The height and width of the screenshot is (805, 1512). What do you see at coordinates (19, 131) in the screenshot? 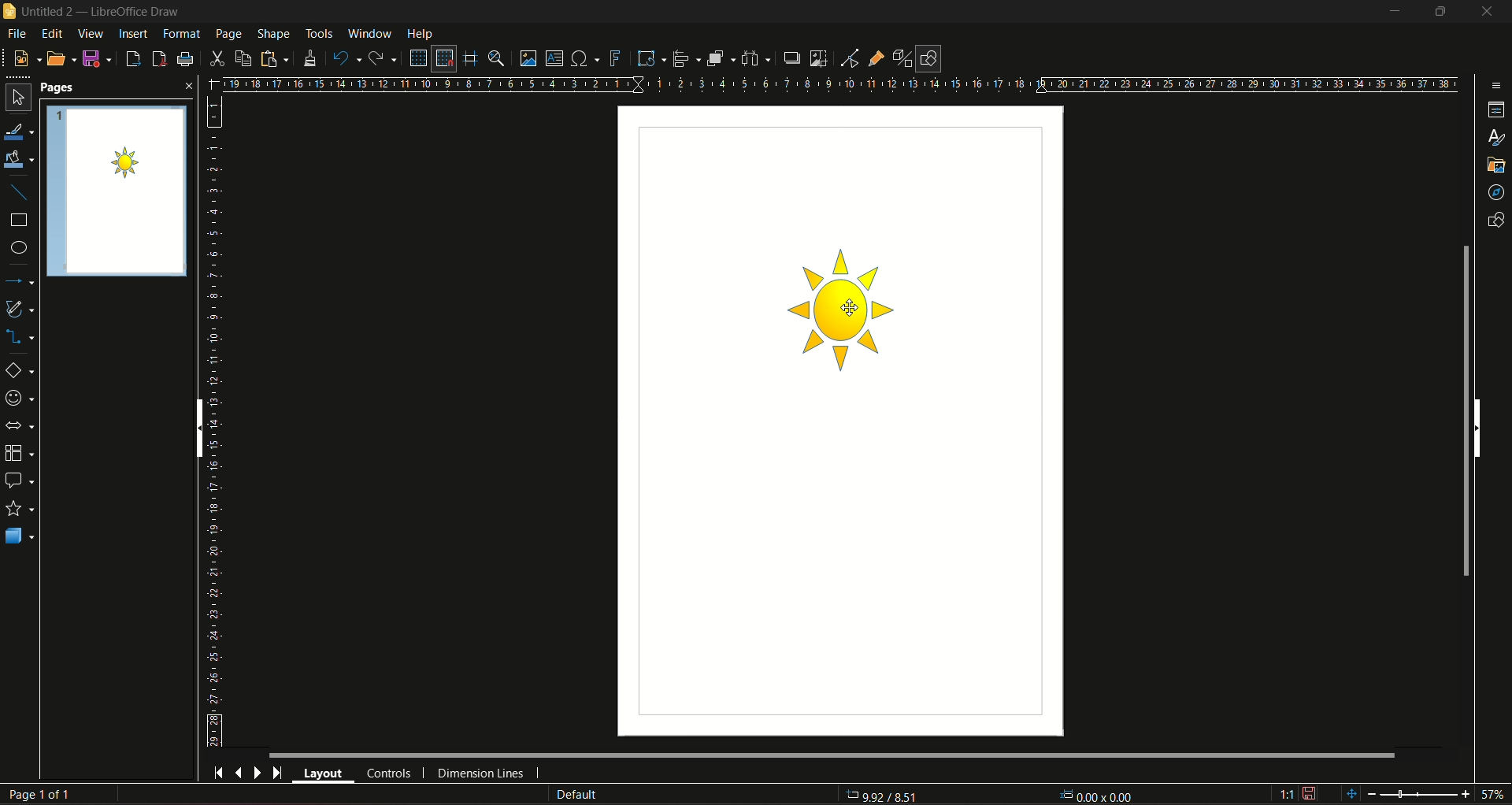
I see `line color` at bounding box center [19, 131].